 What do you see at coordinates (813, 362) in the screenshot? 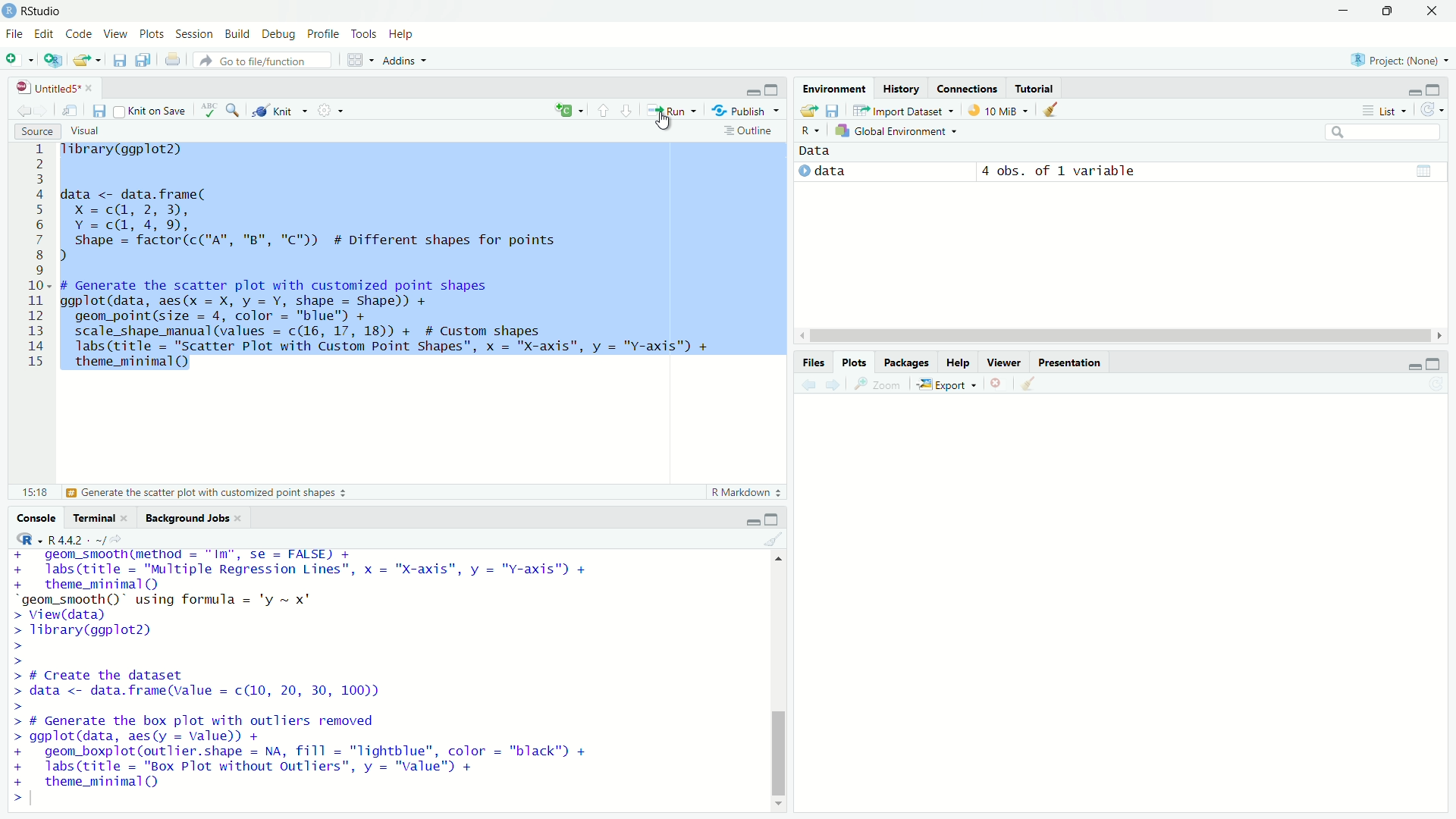
I see `Files` at bounding box center [813, 362].